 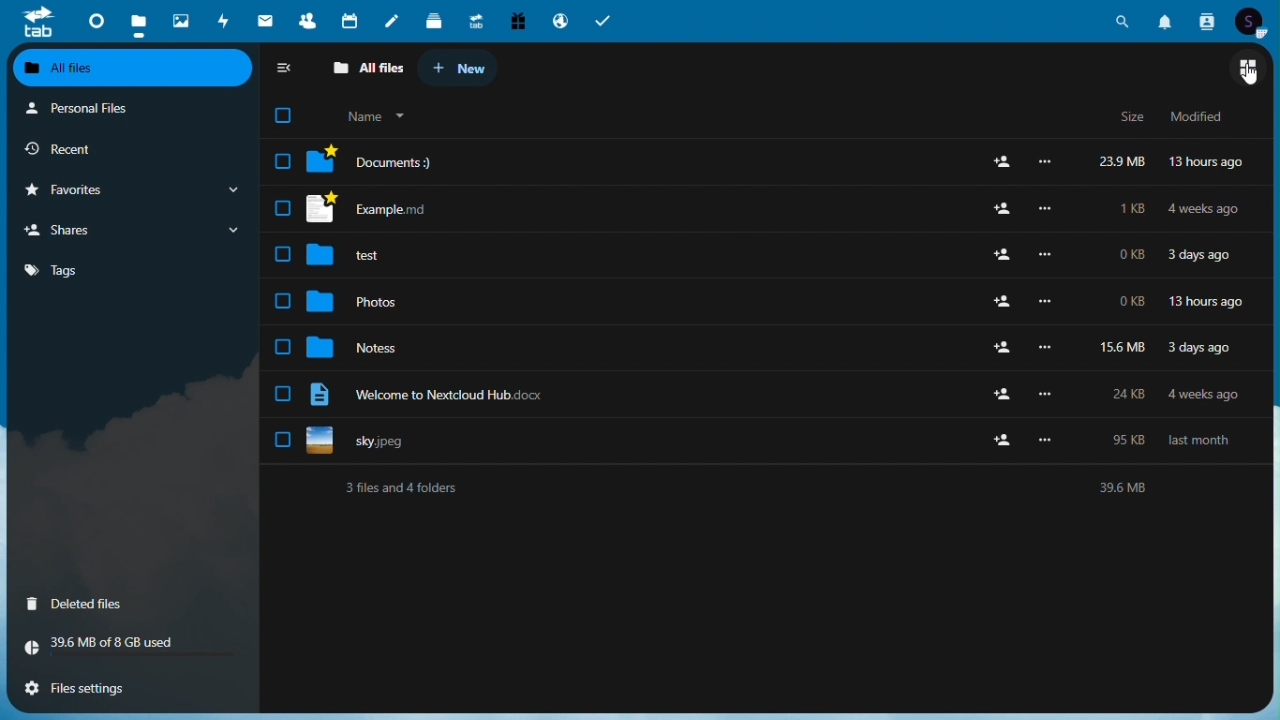 I want to click on notes, so click(x=391, y=20).